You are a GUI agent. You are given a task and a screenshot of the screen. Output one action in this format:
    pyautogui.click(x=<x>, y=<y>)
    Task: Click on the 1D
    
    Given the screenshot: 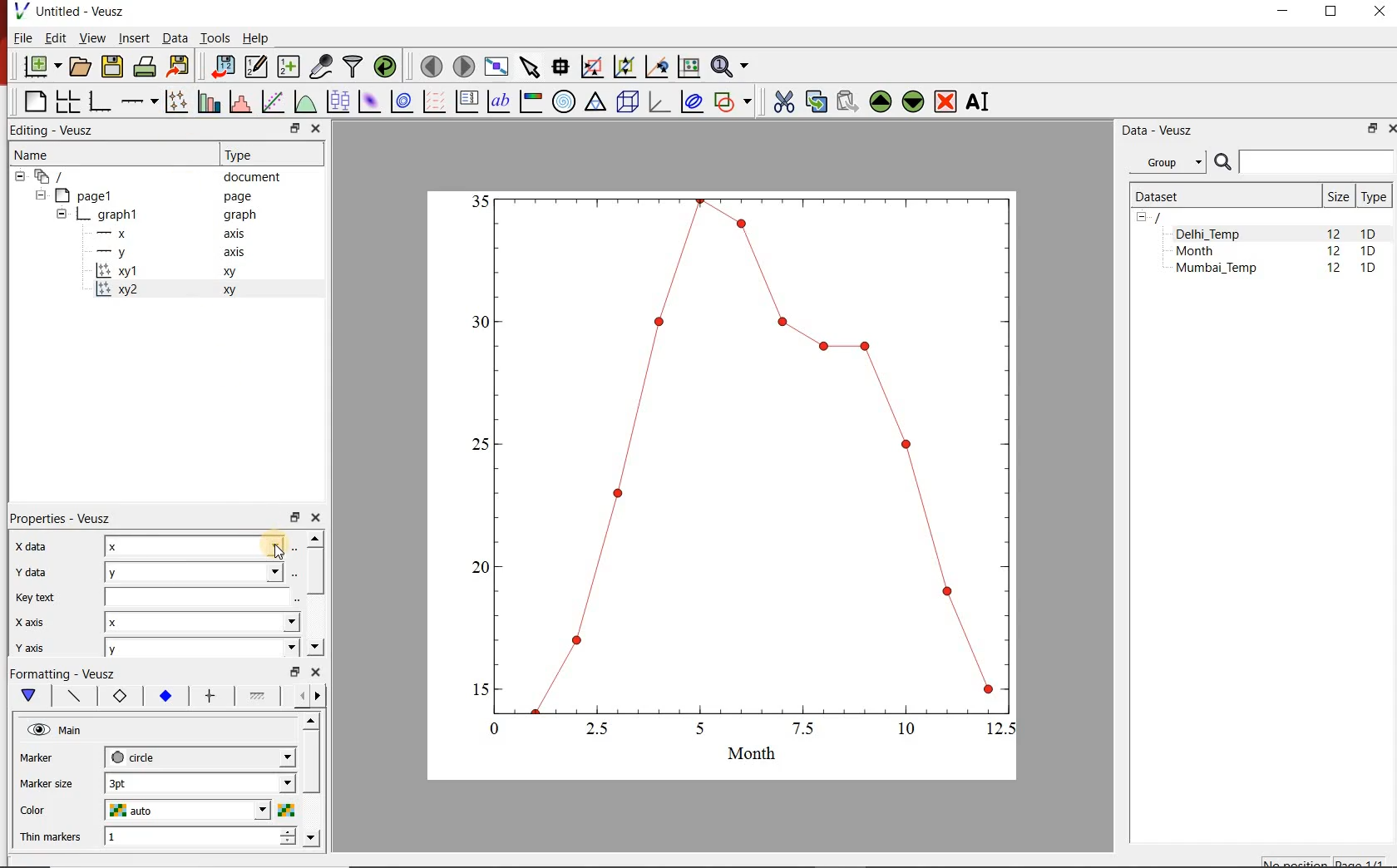 What is the action you would take?
    pyautogui.click(x=1369, y=234)
    